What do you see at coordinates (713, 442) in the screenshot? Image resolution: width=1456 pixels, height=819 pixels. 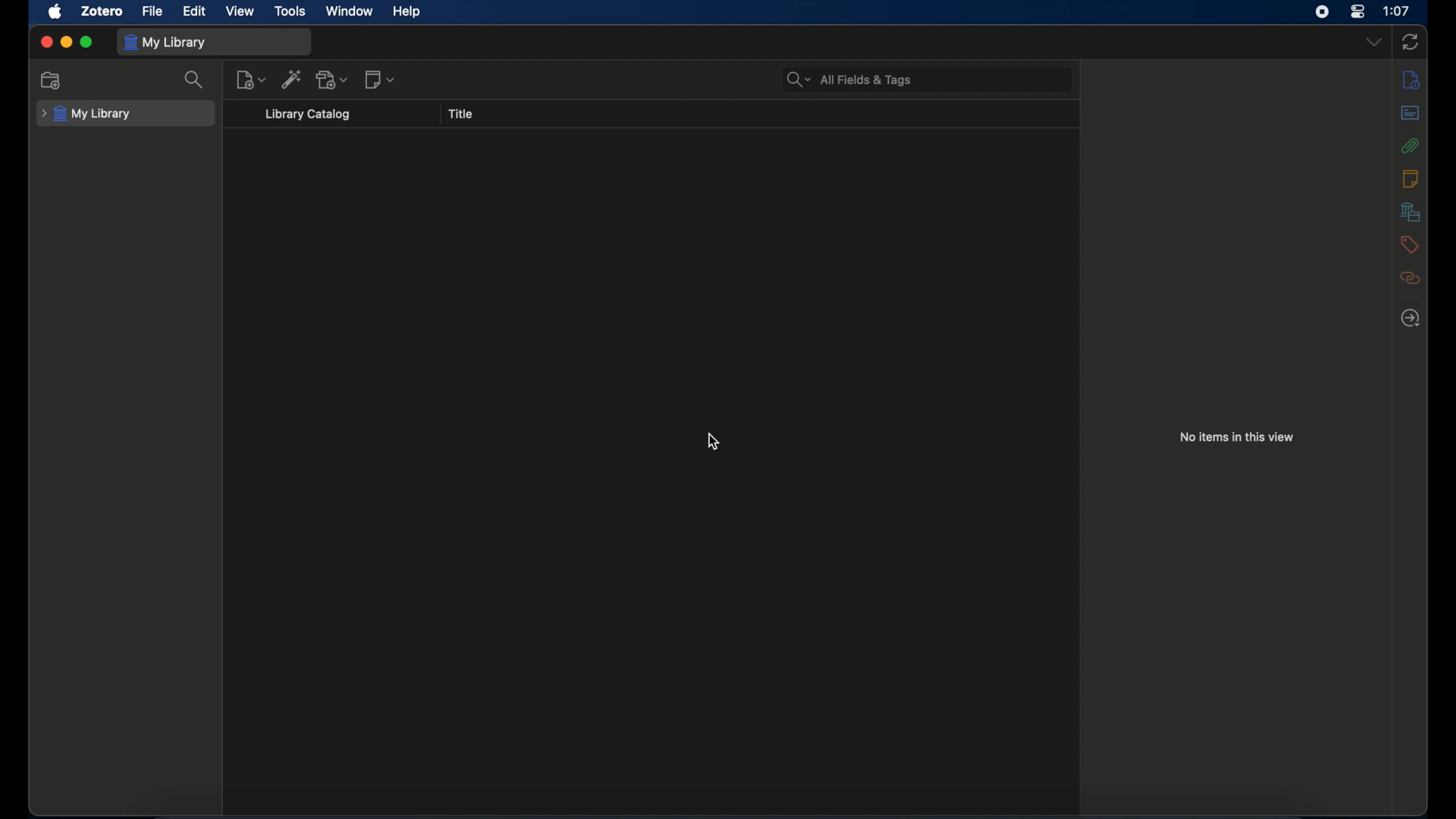 I see `cursor` at bounding box center [713, 442].